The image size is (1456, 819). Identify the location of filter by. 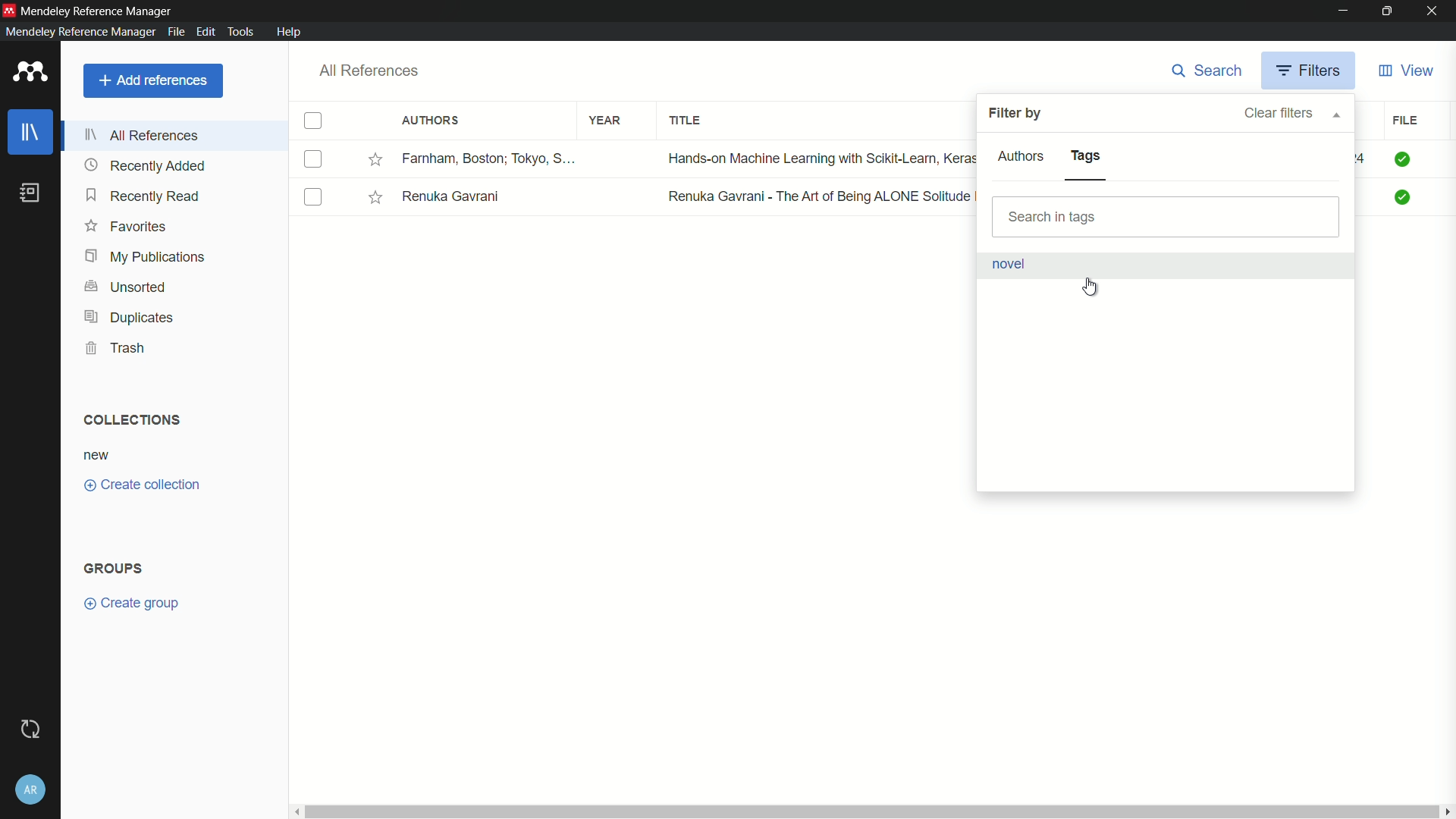
(1014, 114).